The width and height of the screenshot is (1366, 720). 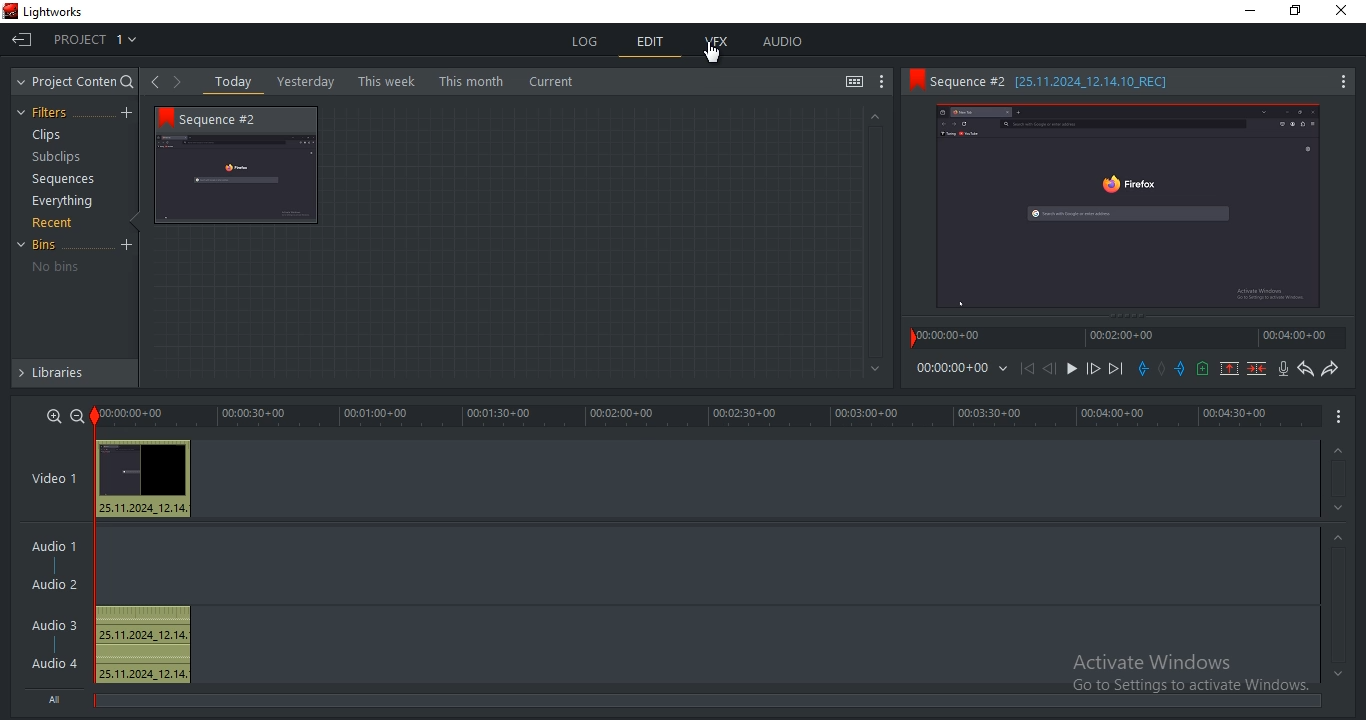 What do you see at coordinates (1333, 84) in the screenshot?
I see `show settings menu` at bounding box center [1333, 84].